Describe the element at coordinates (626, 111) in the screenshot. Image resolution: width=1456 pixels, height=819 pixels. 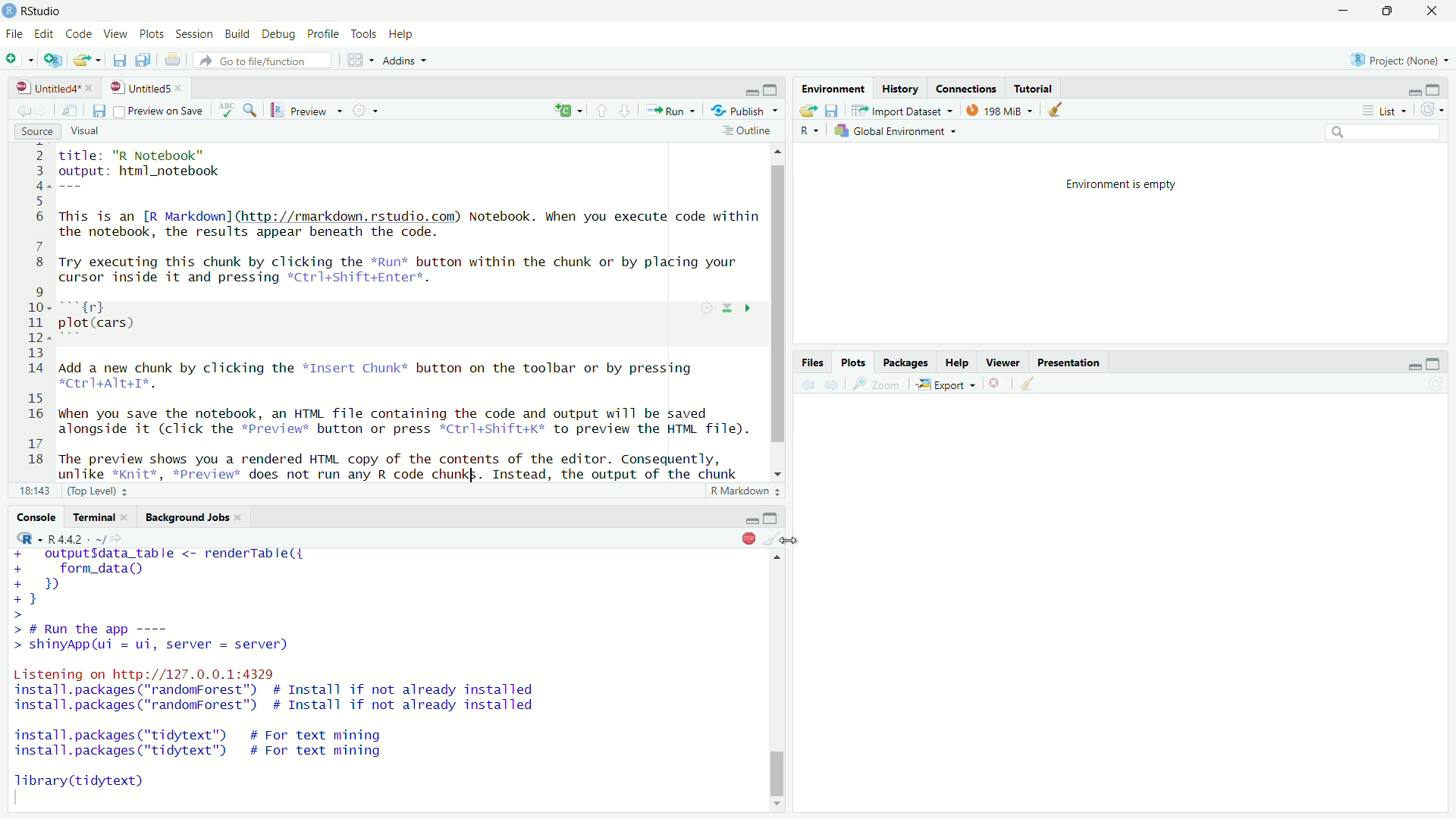
I see `up` at that location.